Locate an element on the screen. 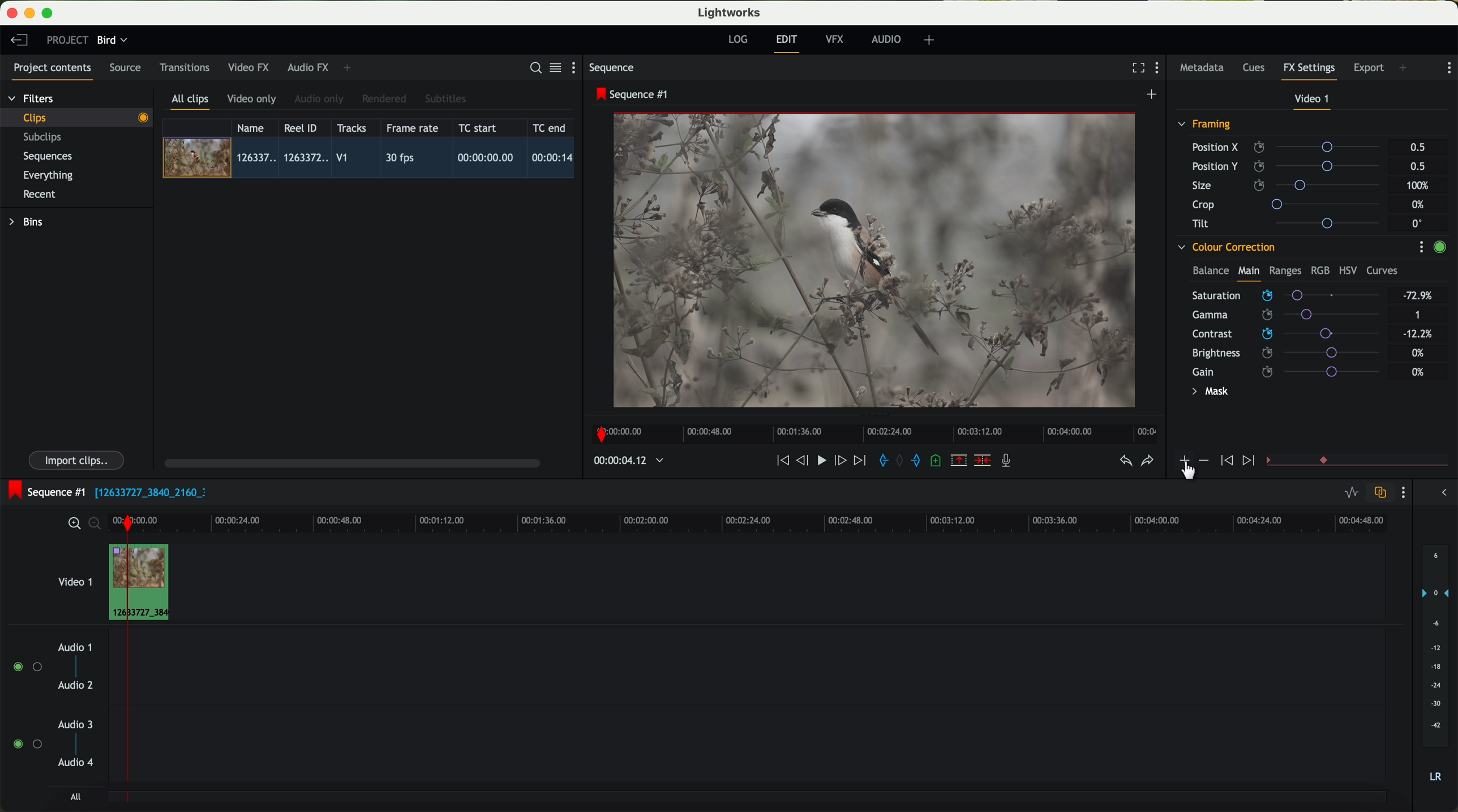  fullscreen is located at coordinates (1136, 67).